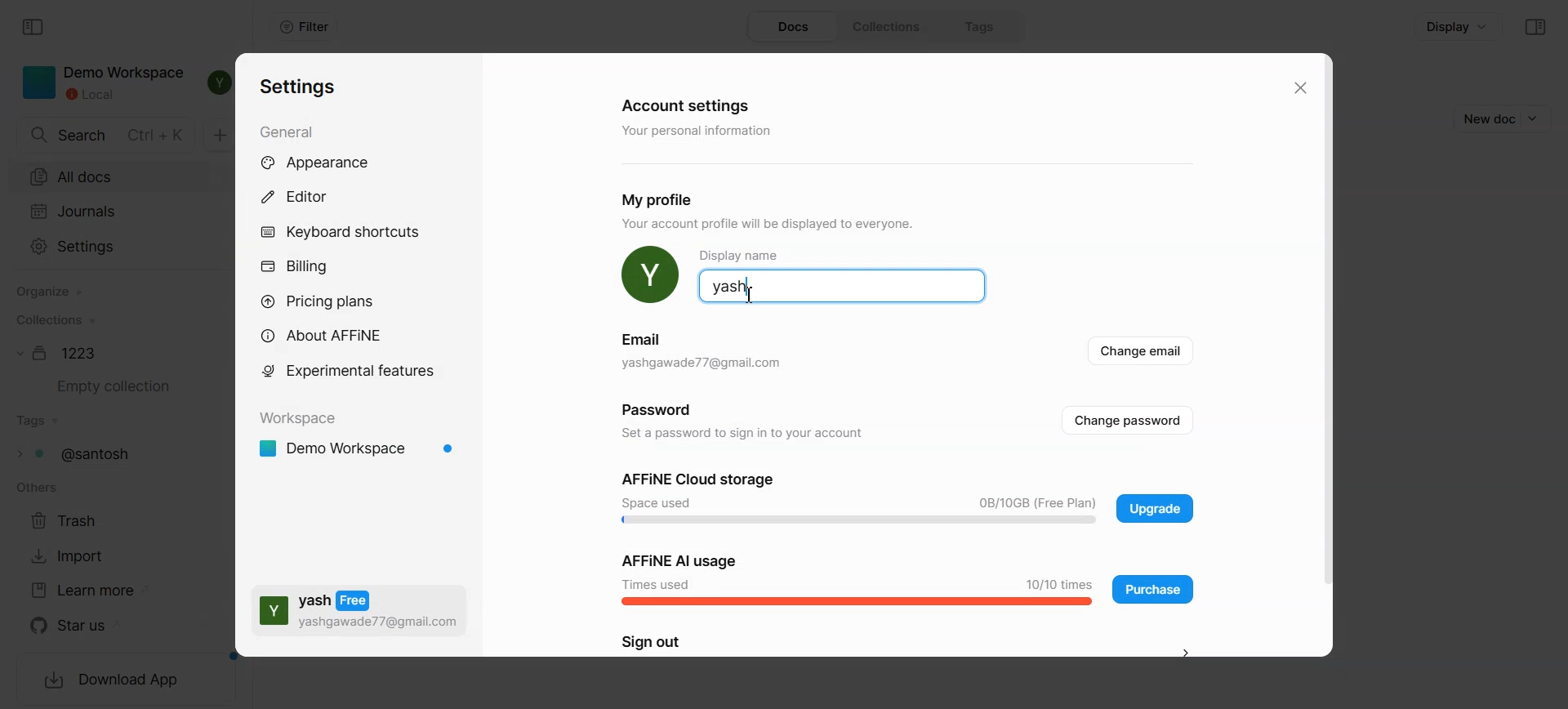 This screenshot has width=1568, height=709. Describe the element at coordinates (1153, 588) in the screenshot. I see `Purchase application` at that location.